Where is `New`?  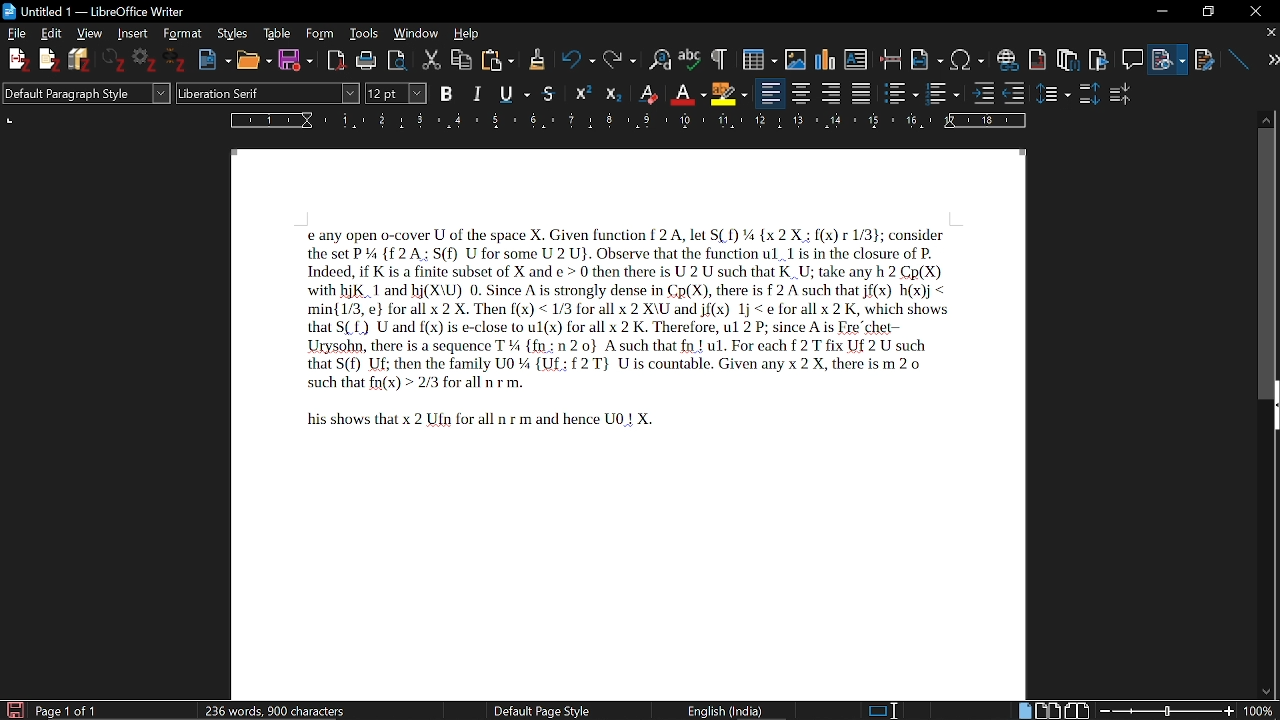
New is located at coordinates (214, 58).